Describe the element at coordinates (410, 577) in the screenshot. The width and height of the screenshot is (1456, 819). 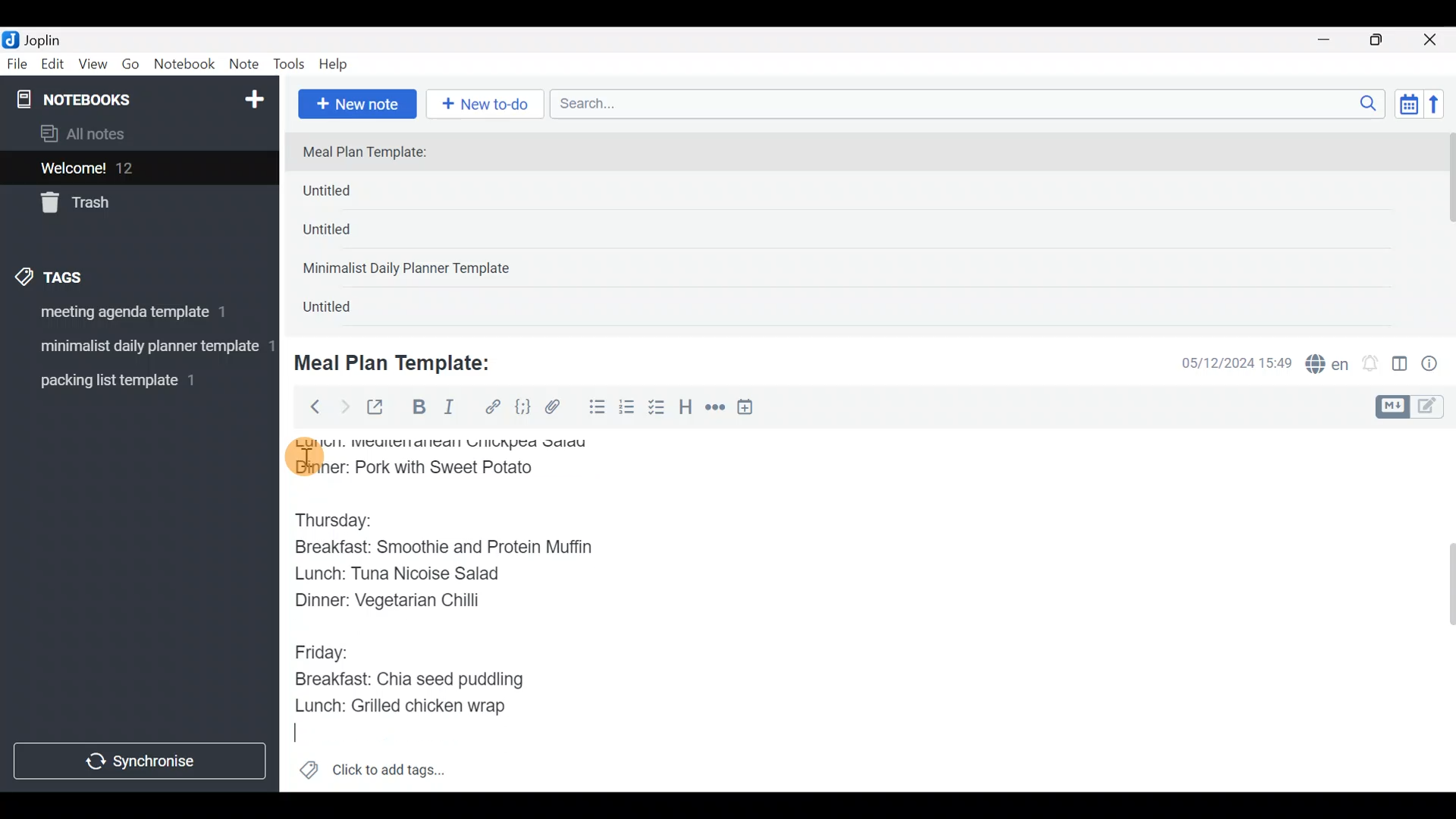
I see `Lunch: Tuna Nicoise Salad` at that location.